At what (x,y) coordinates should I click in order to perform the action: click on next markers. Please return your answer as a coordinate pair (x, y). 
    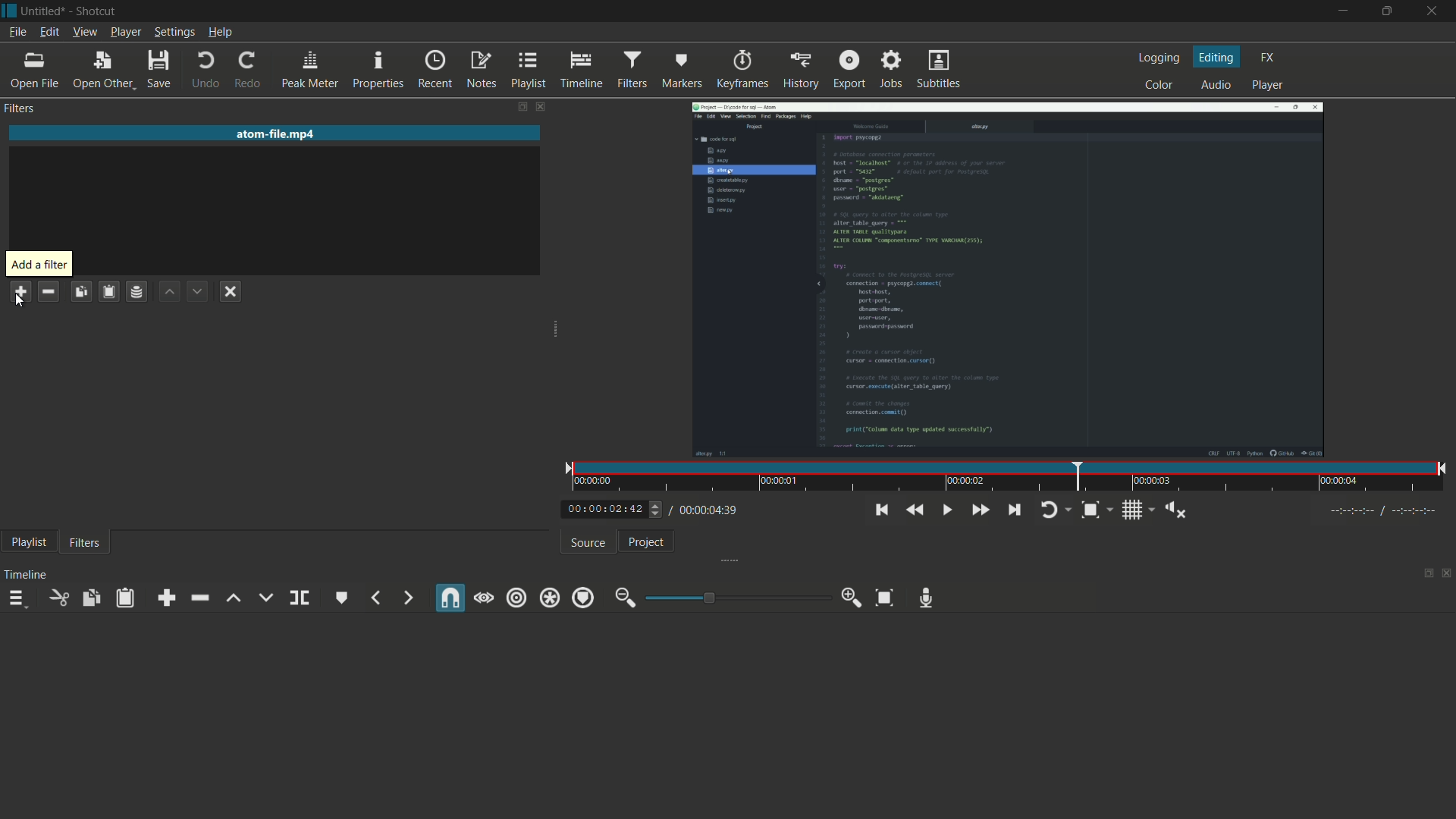
    Looking at the image, I should click on (406, 598).